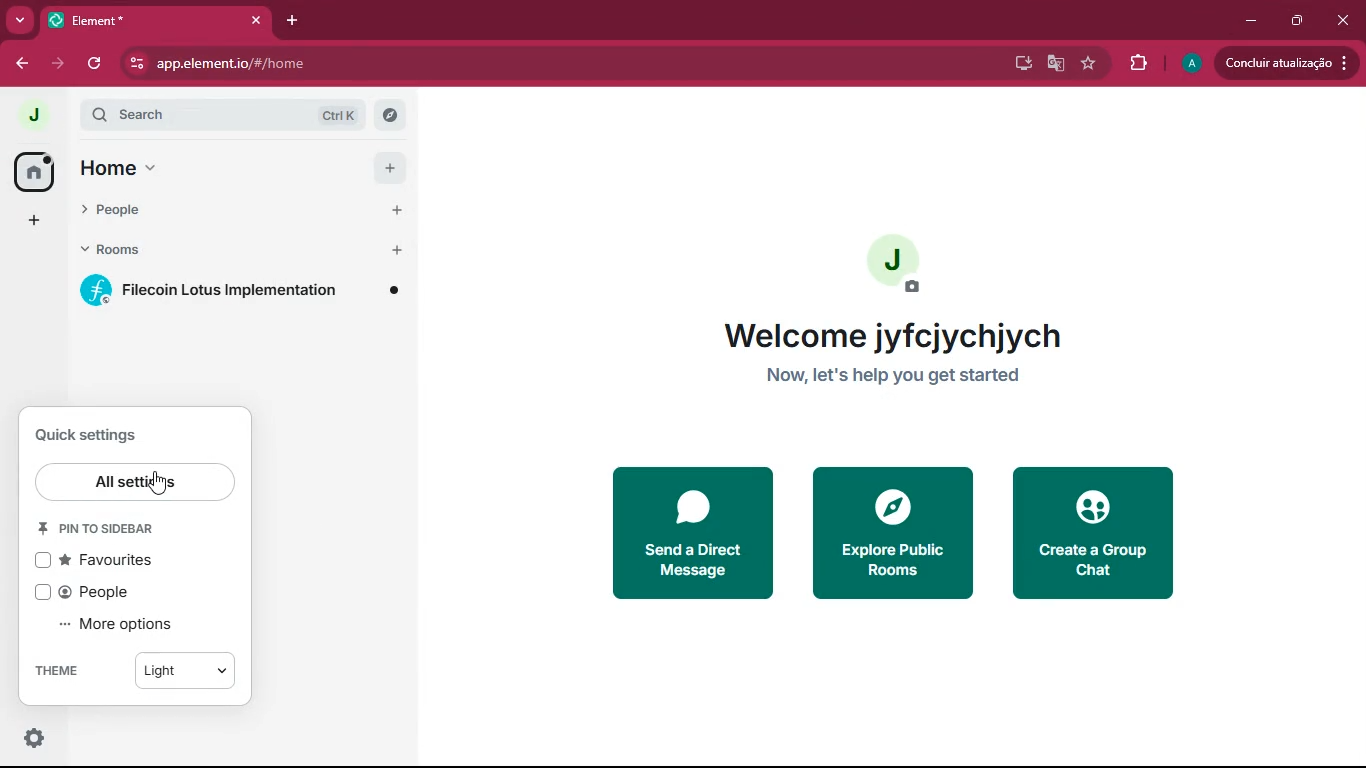 The image size is (1366, 768). I want to click on translate, so click(1057, 64).